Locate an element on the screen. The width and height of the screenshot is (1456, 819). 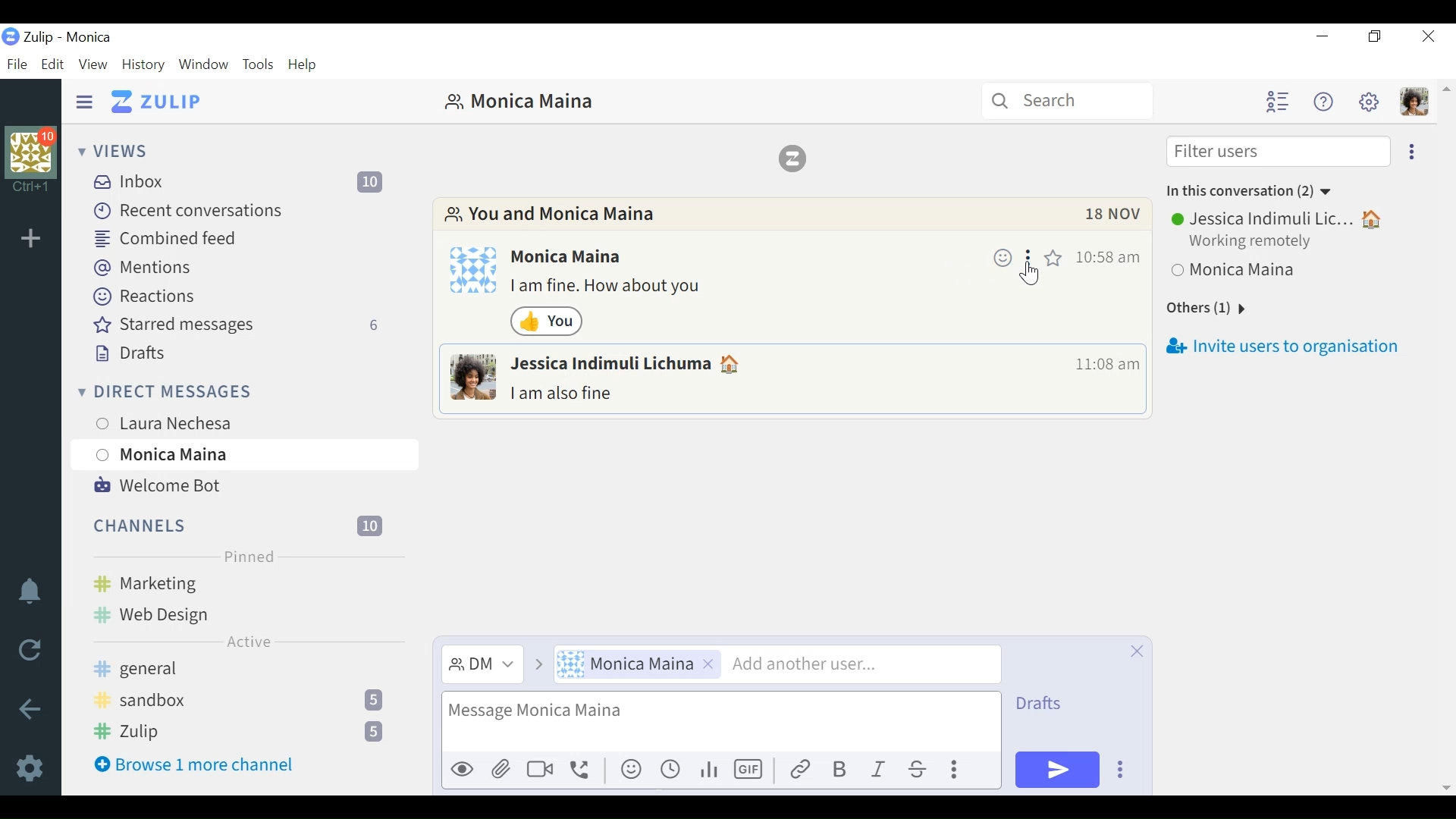
Web Design is located at coordinates (186, 612).